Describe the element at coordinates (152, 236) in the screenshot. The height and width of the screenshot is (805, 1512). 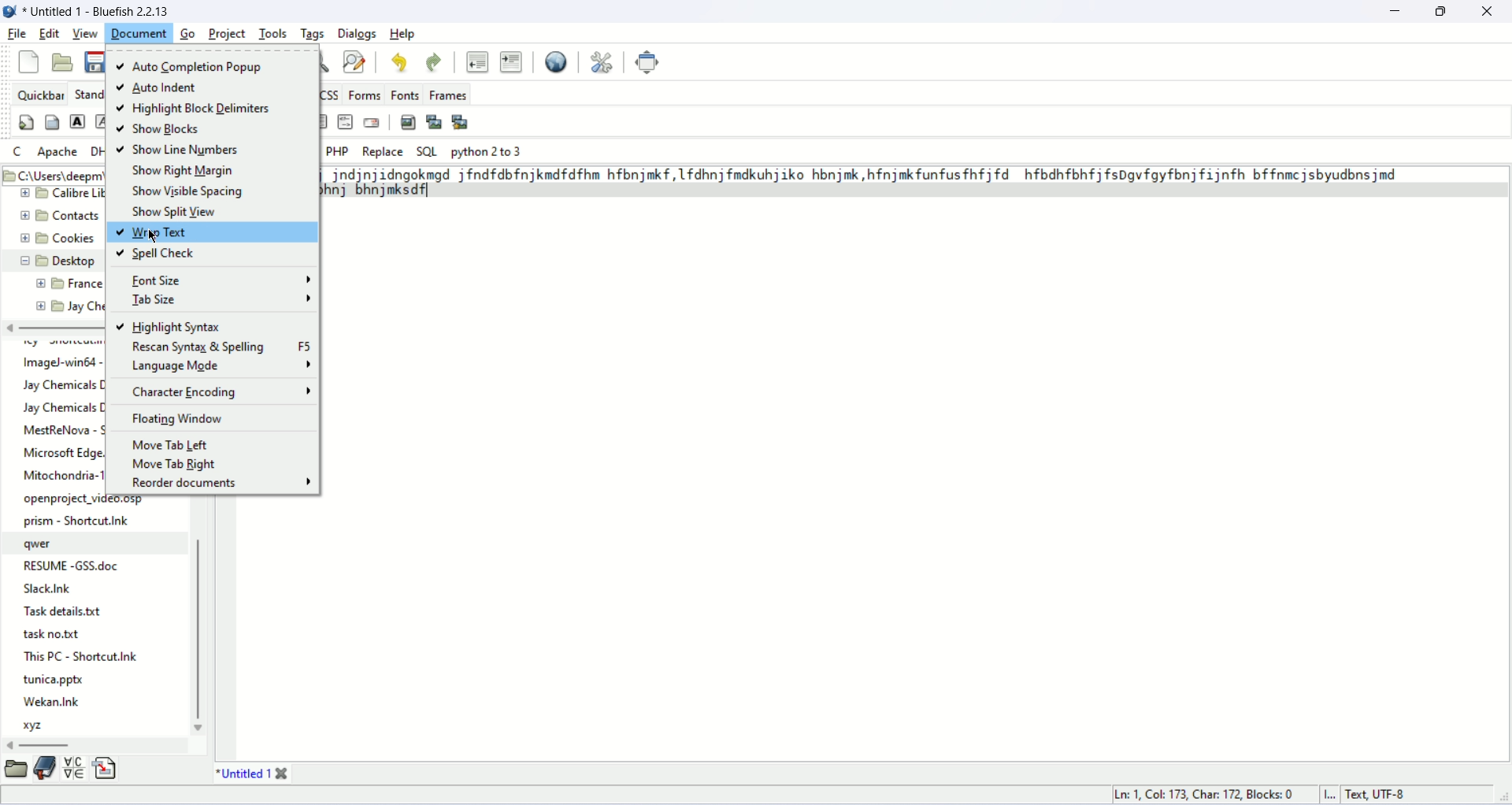
I see `cursor` at that location.